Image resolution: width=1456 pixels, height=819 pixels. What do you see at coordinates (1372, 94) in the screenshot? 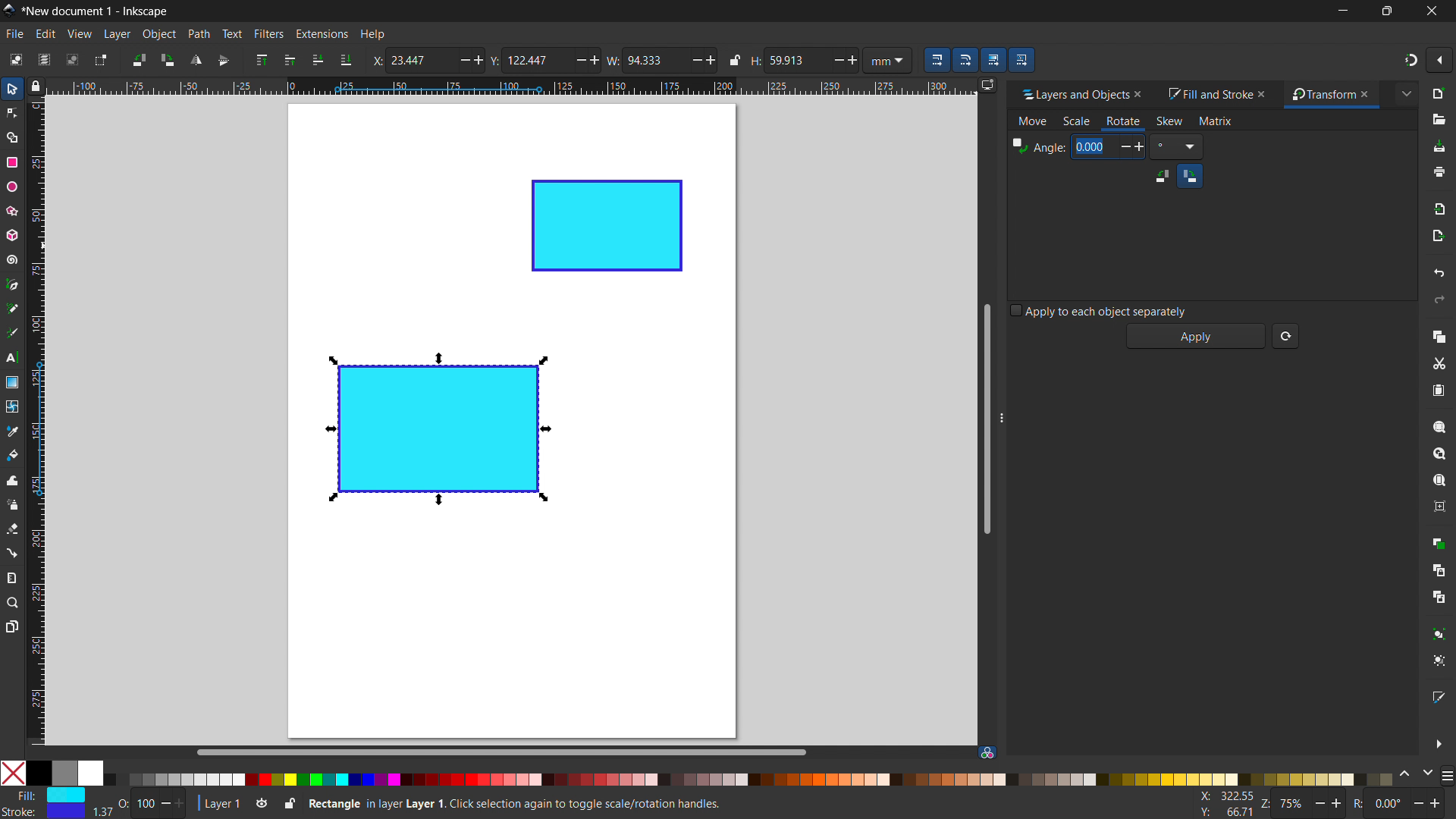
I see `close` at bounding box center [1372, 94].